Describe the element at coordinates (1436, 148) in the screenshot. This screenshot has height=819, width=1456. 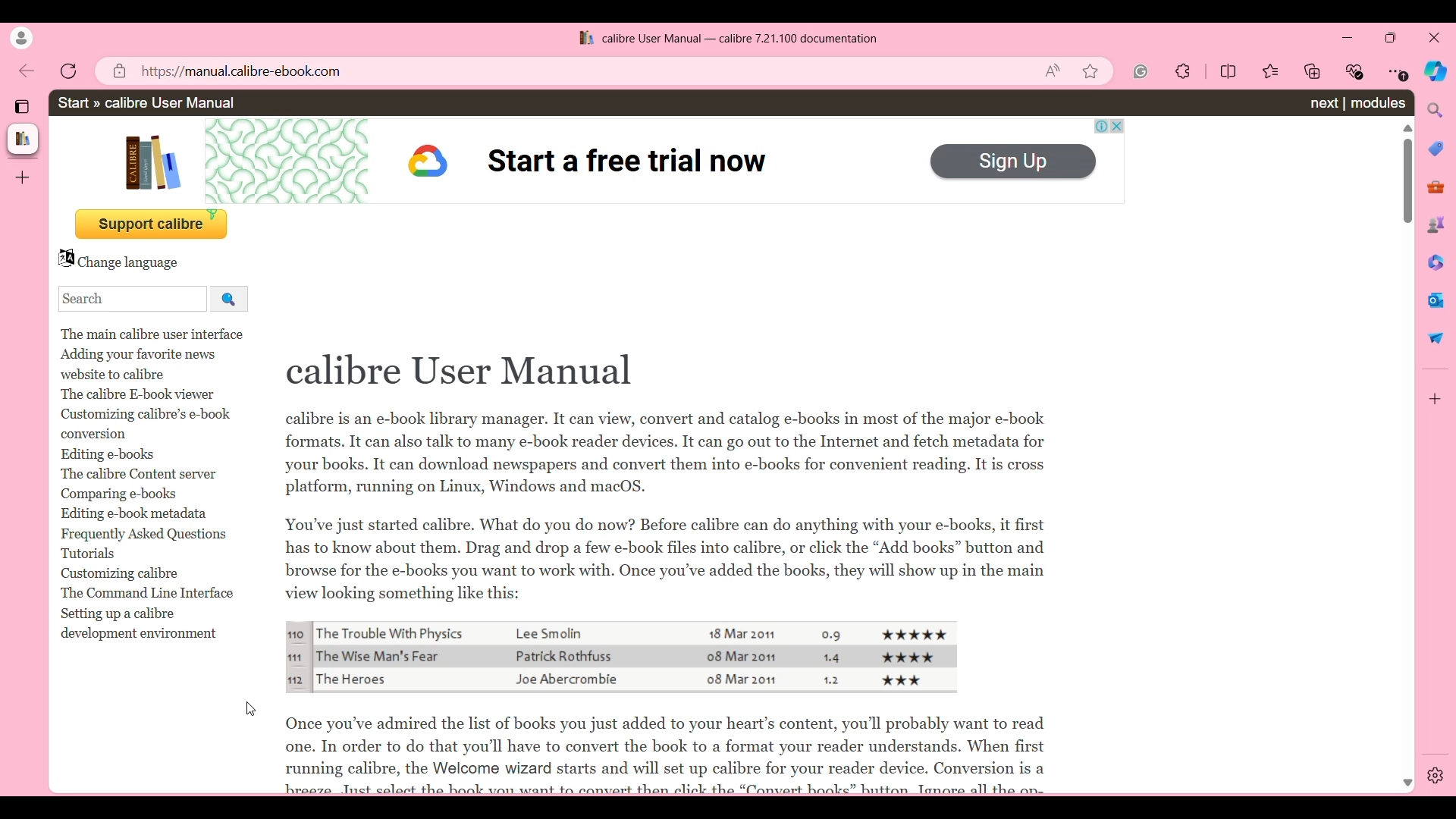
I see `Shopping` at that location.